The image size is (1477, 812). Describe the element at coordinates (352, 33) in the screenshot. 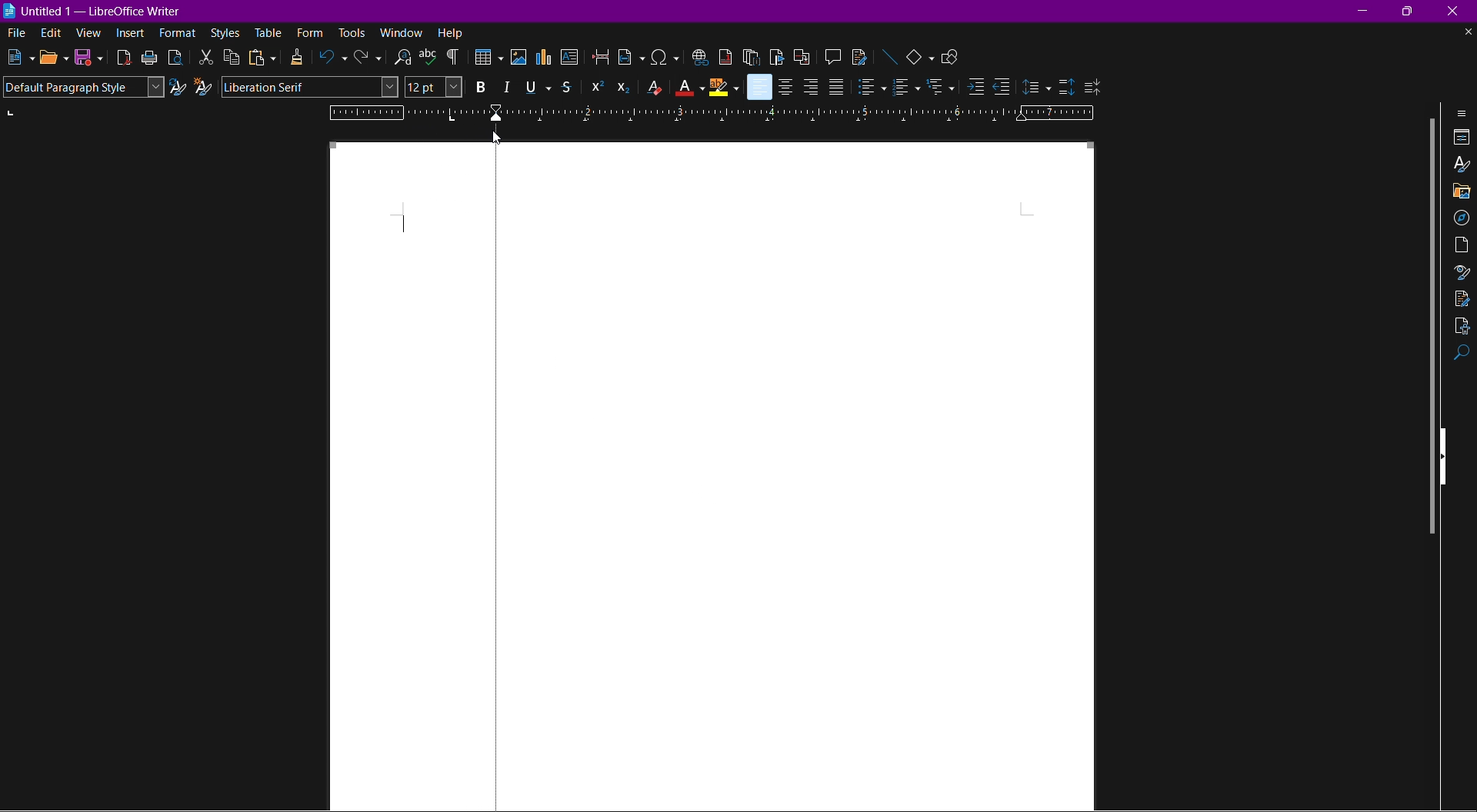

I see `tools` at that location.